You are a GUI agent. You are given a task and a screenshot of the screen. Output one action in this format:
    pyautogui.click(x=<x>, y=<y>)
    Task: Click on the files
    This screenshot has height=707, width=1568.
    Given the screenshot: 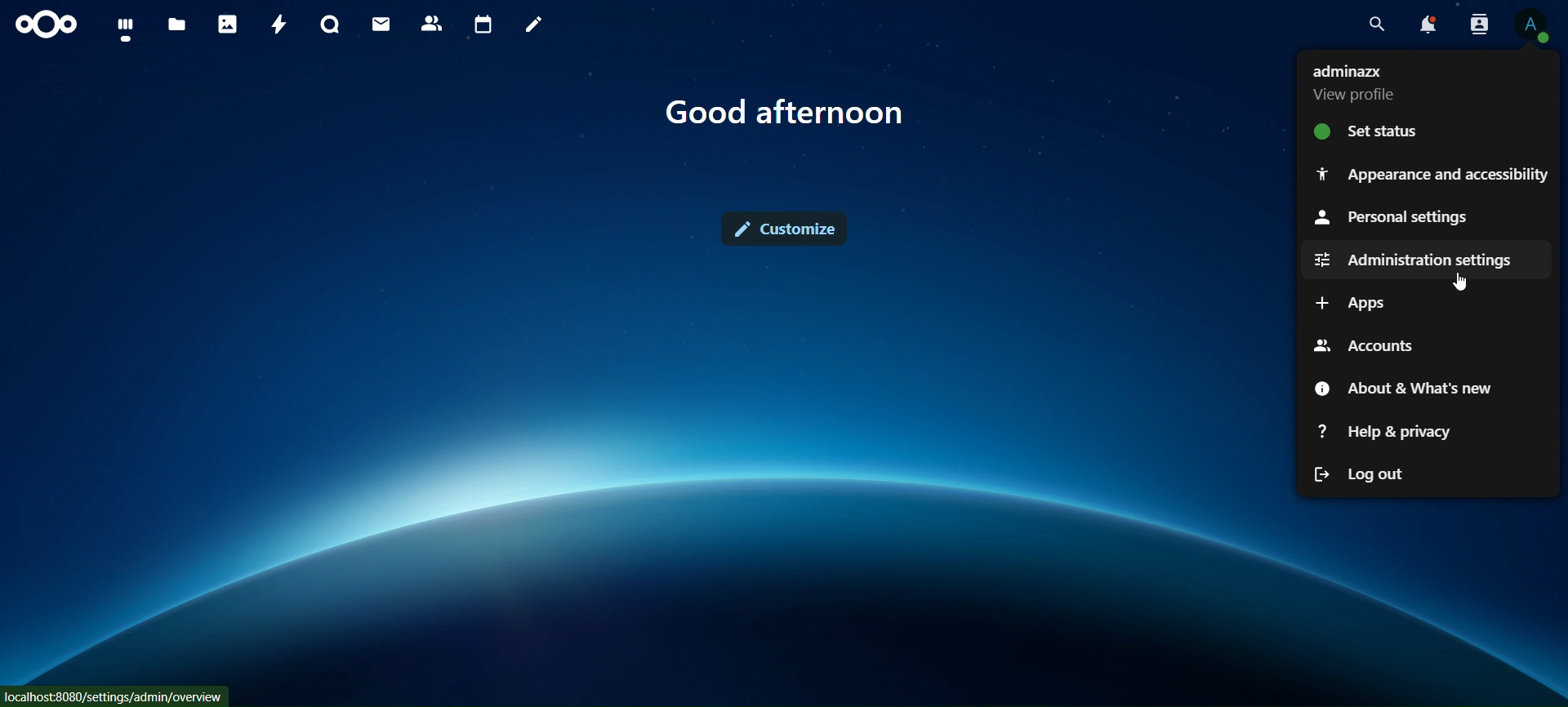 What is the action you would take?
    pyautogui.click(x=176, y=25)
    